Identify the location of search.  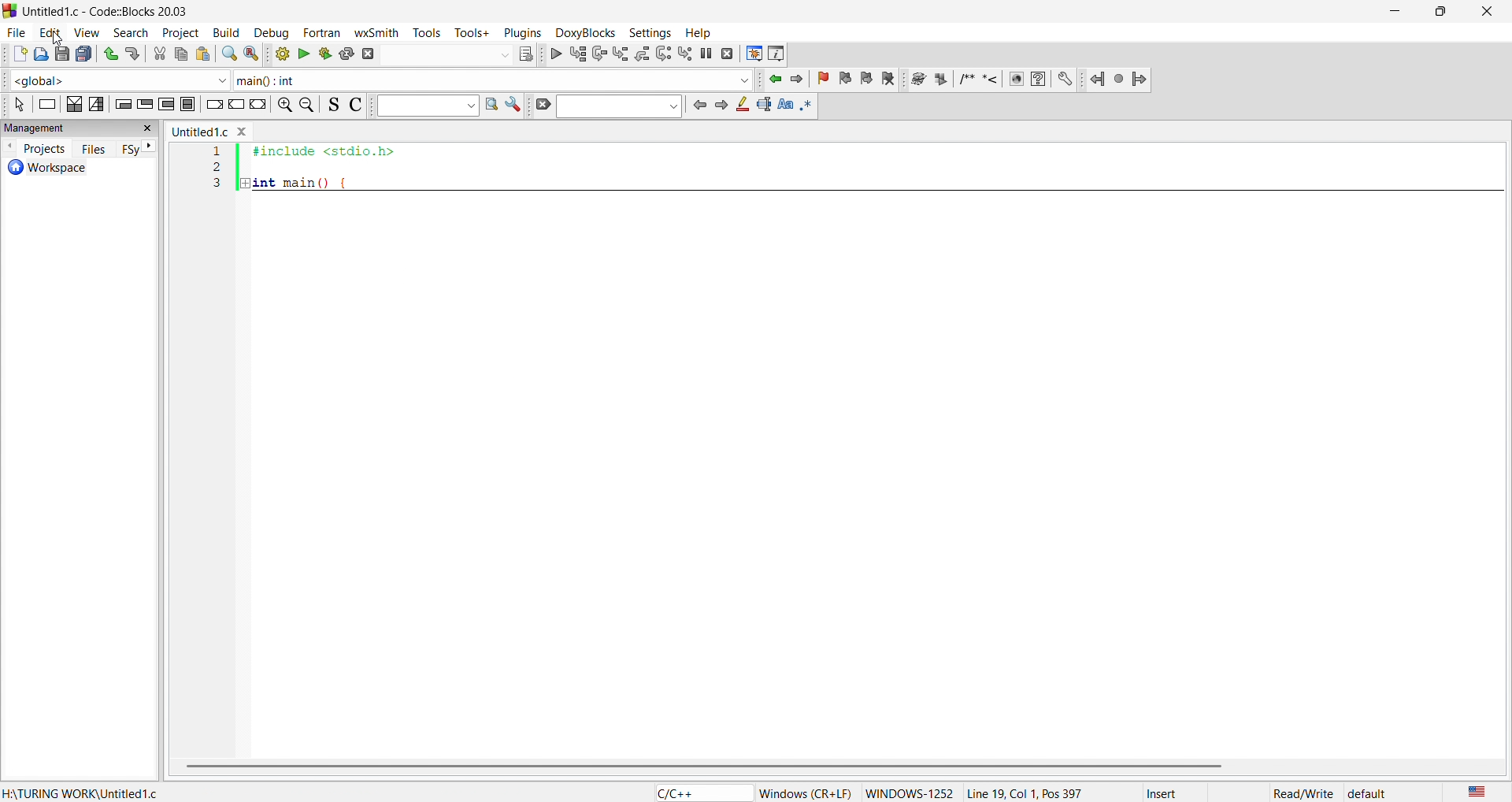
(125, 31).